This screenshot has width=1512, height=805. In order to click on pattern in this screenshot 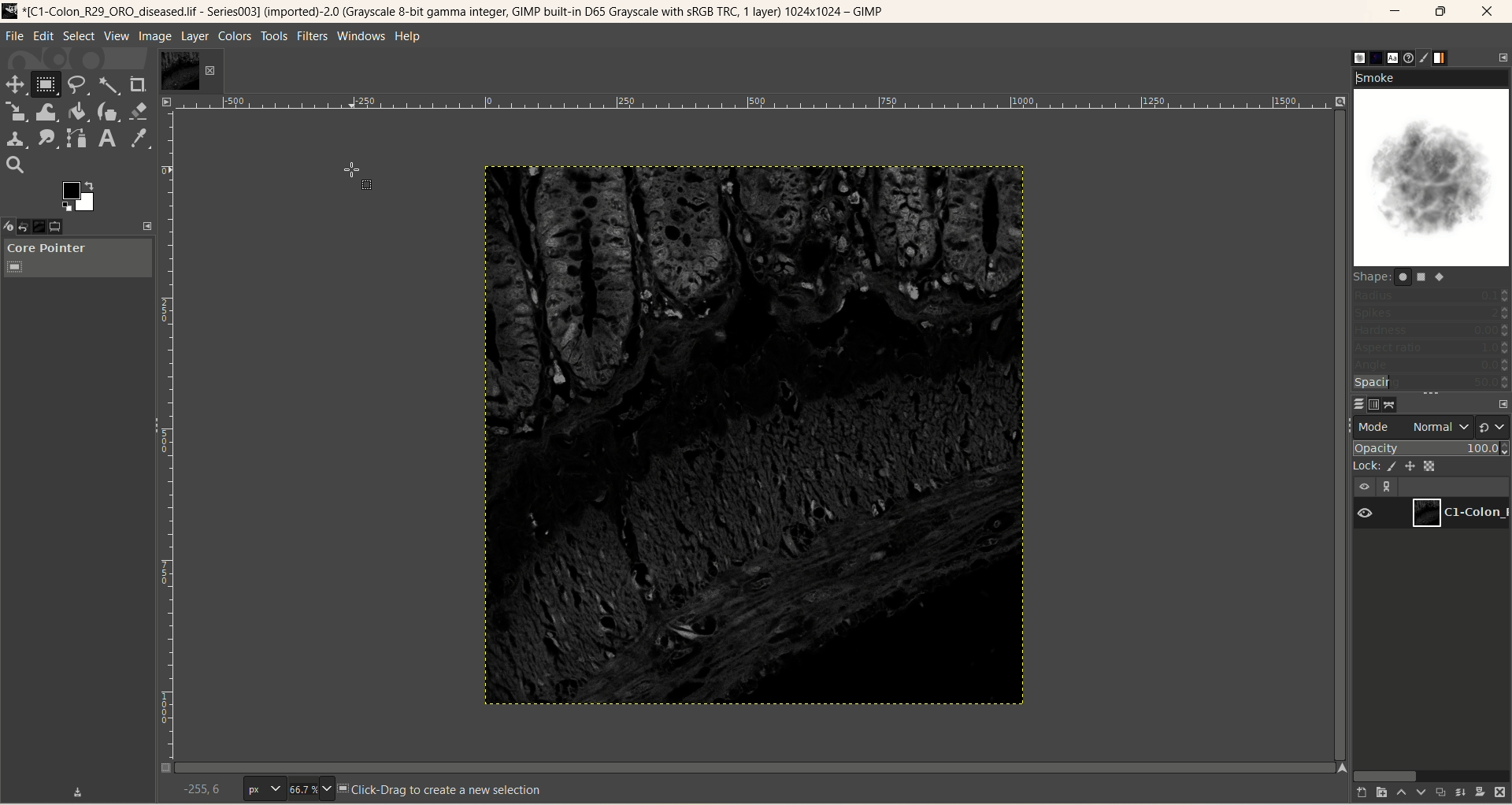, I will do `click(1377, 58)`.